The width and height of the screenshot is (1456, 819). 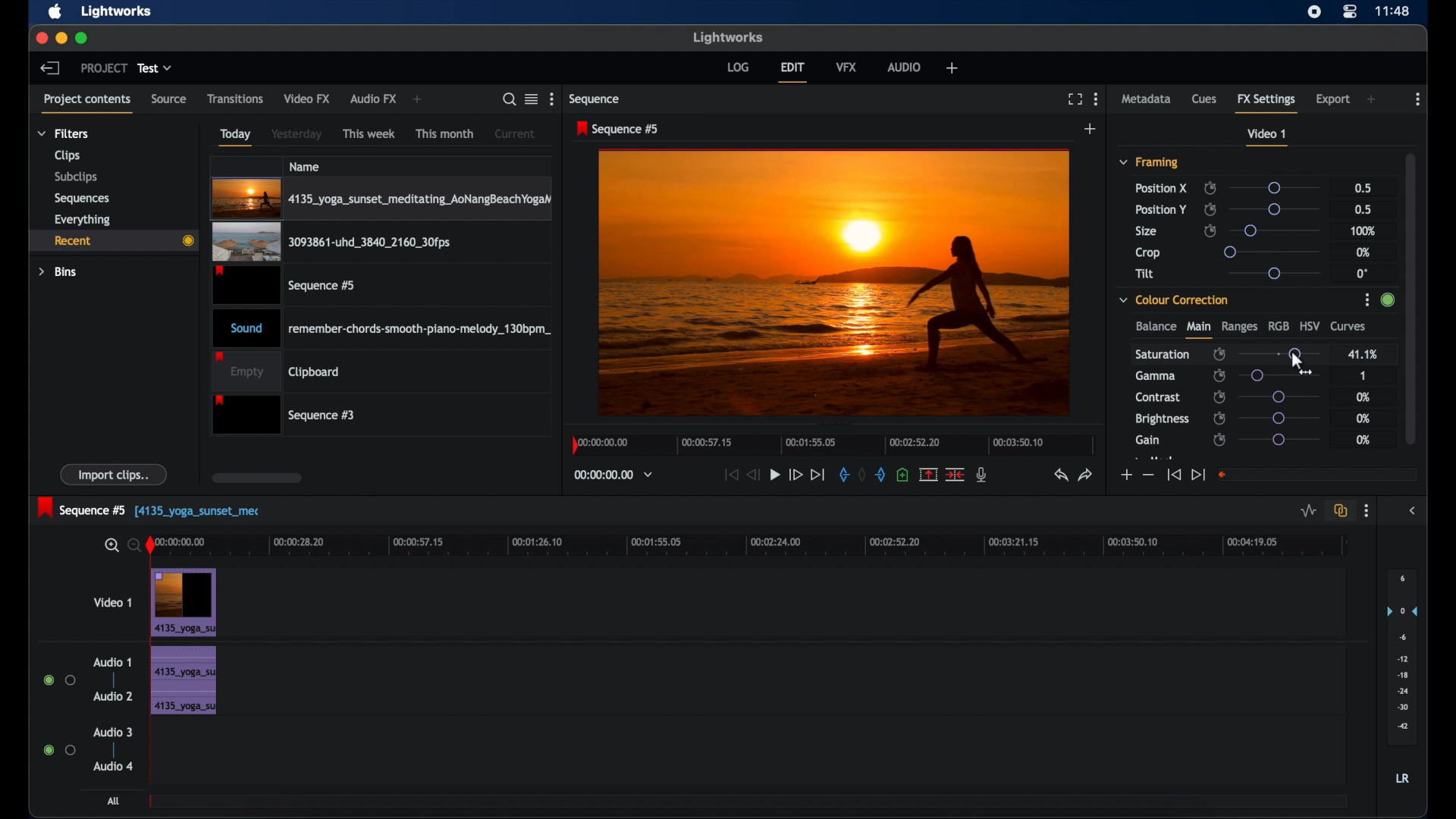 I want to click on bins, so click(x=58, y=271).